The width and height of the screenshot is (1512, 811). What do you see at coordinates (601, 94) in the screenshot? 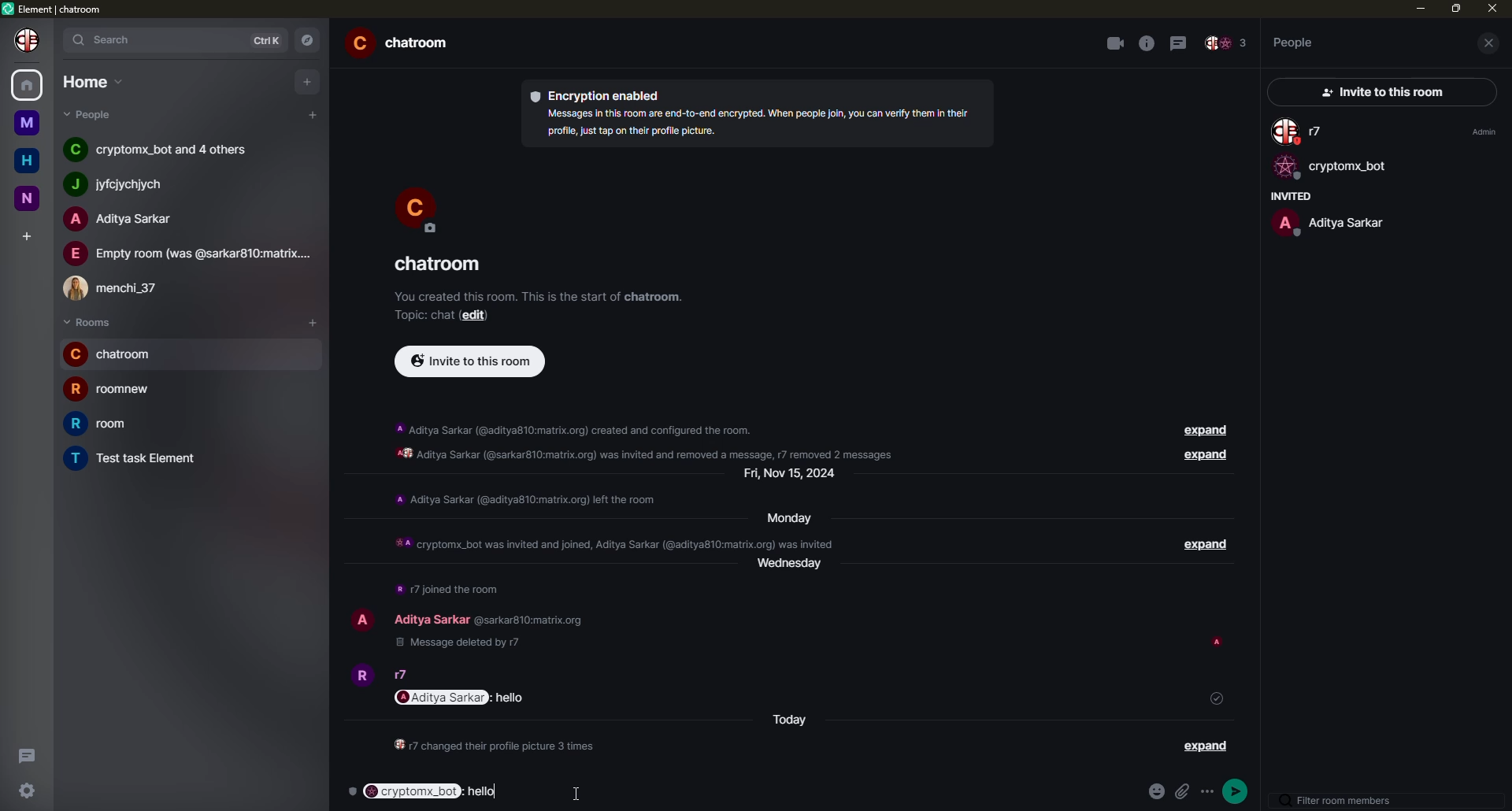
I see `encryption enabled` at bounding box center [601, 94].